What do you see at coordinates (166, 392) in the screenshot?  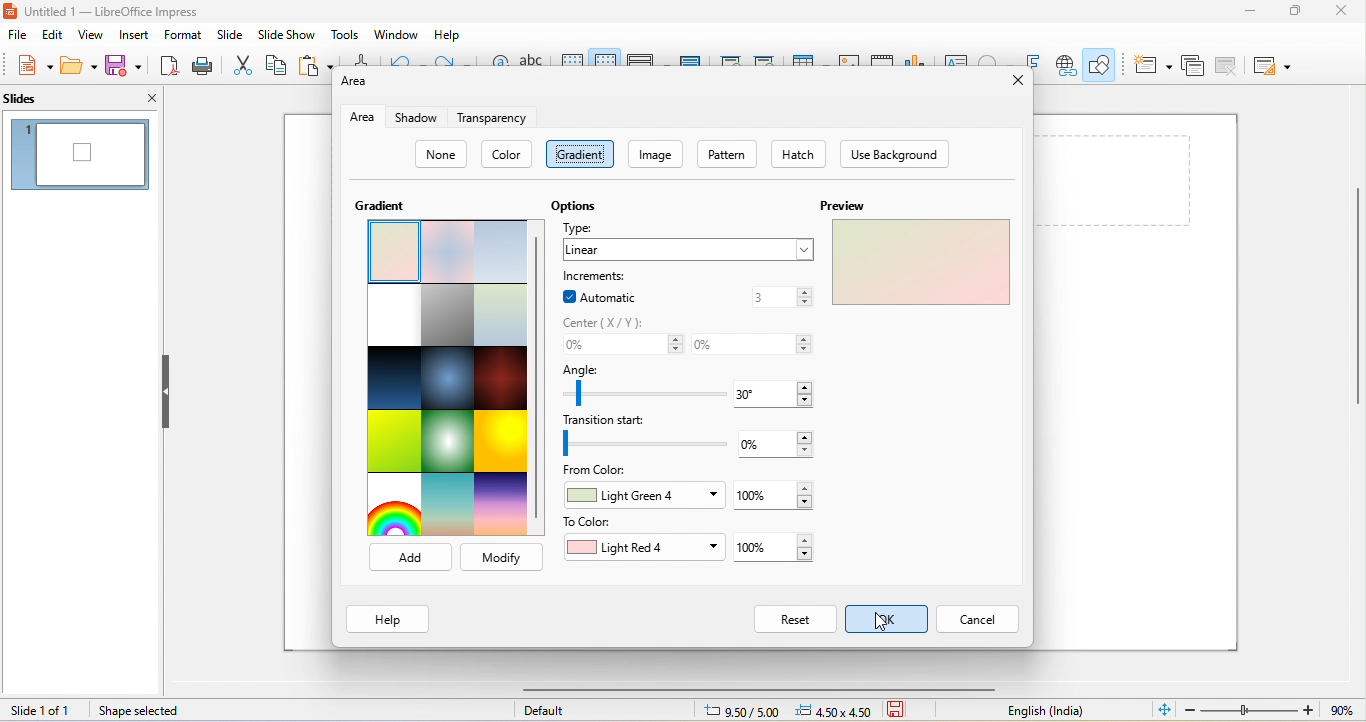 I see `hide` at bounding box center [166, 392].